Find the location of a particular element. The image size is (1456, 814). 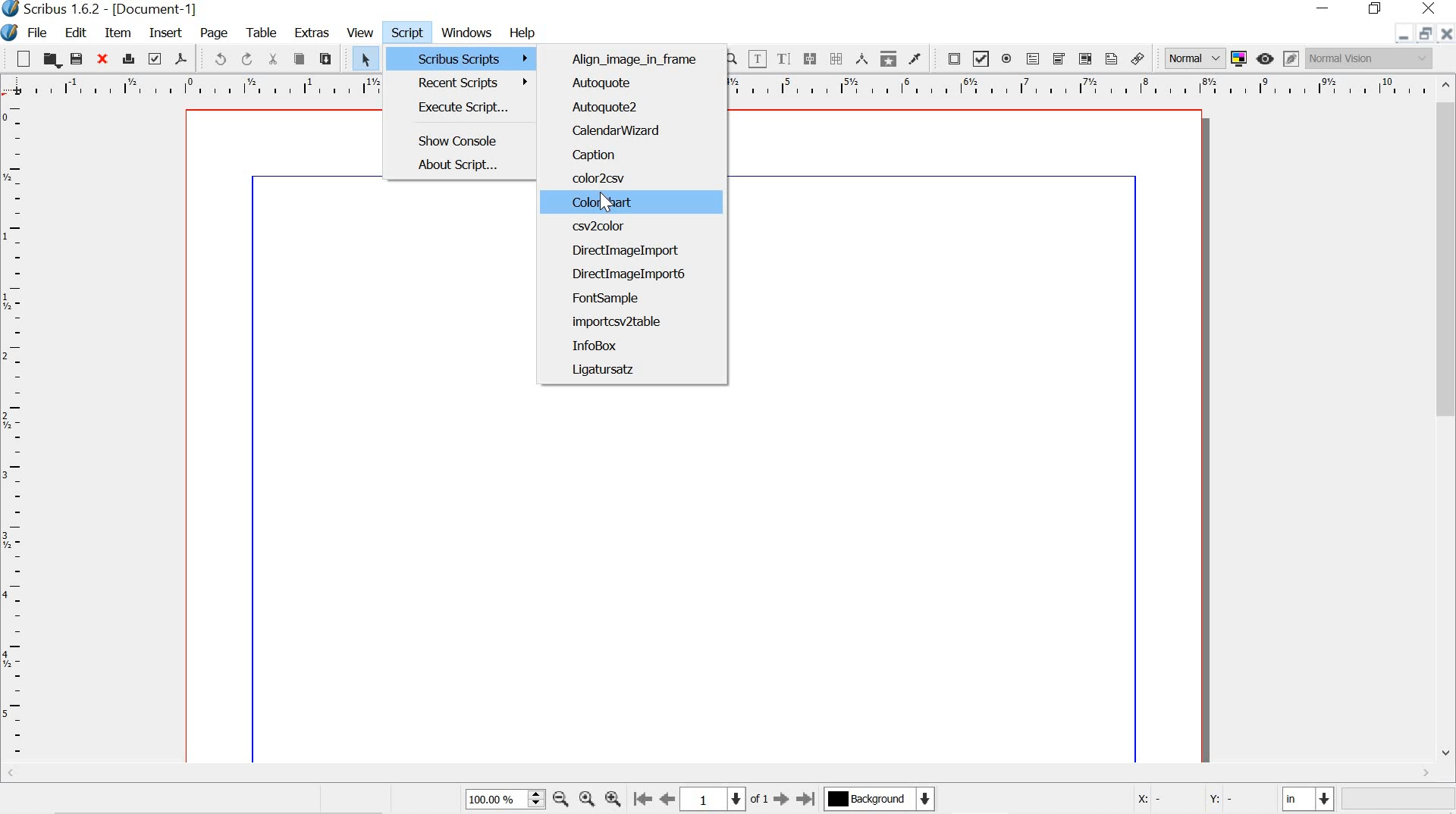

Normal Vision is located at coordinates (1369, 58).